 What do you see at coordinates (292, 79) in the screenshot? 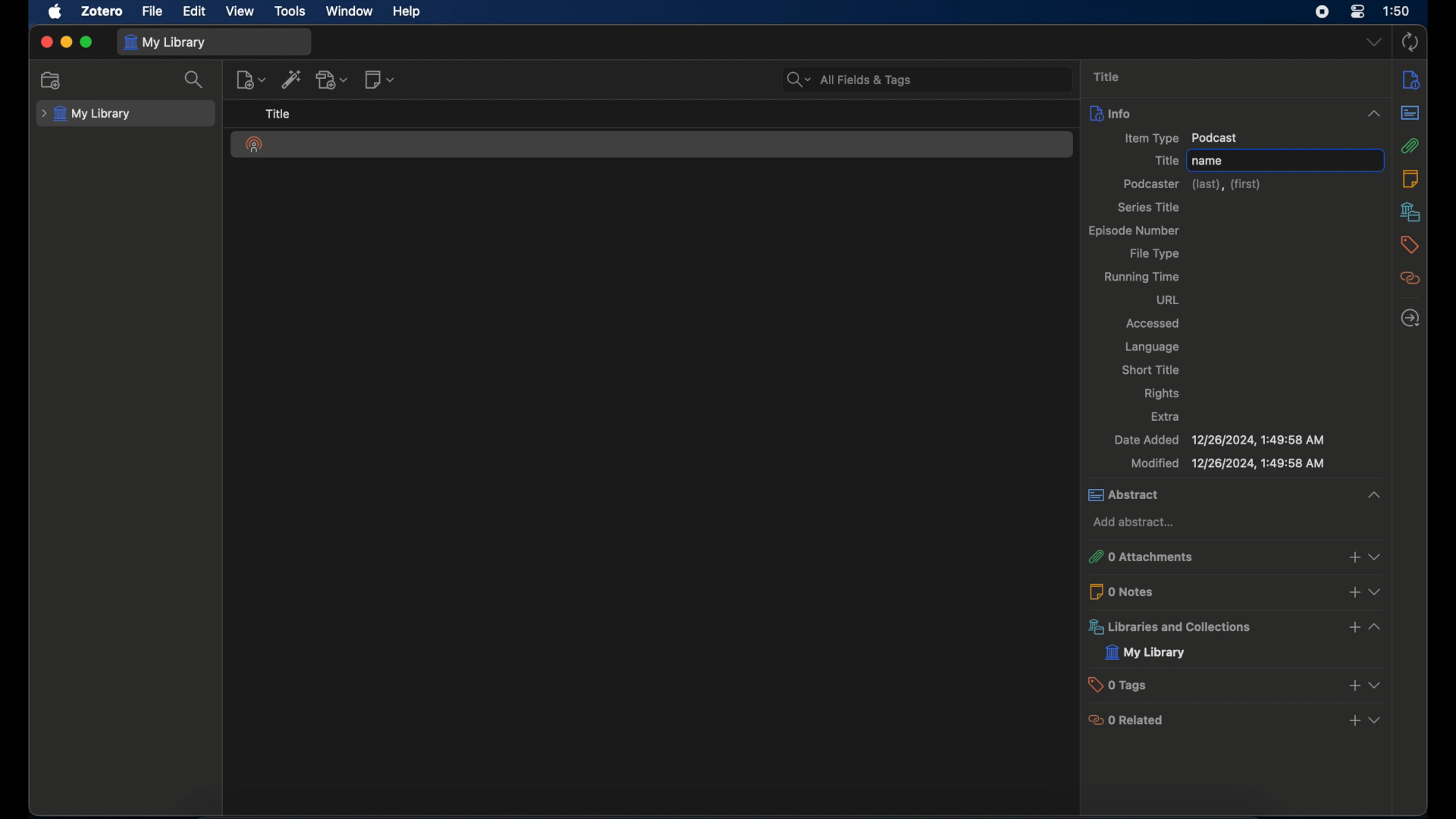
I see `add item by identifier` at bounding box center [292, 79].